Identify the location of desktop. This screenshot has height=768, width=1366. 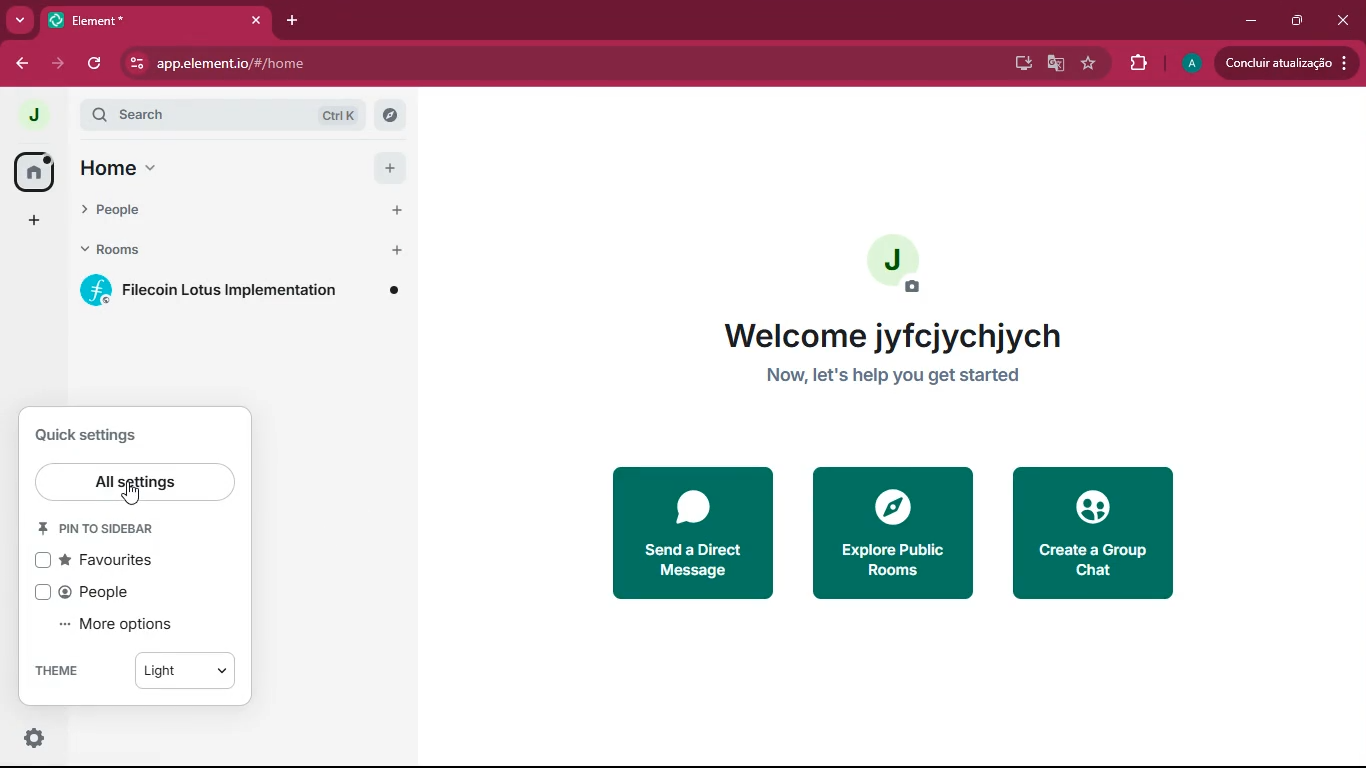
(1022, 65).